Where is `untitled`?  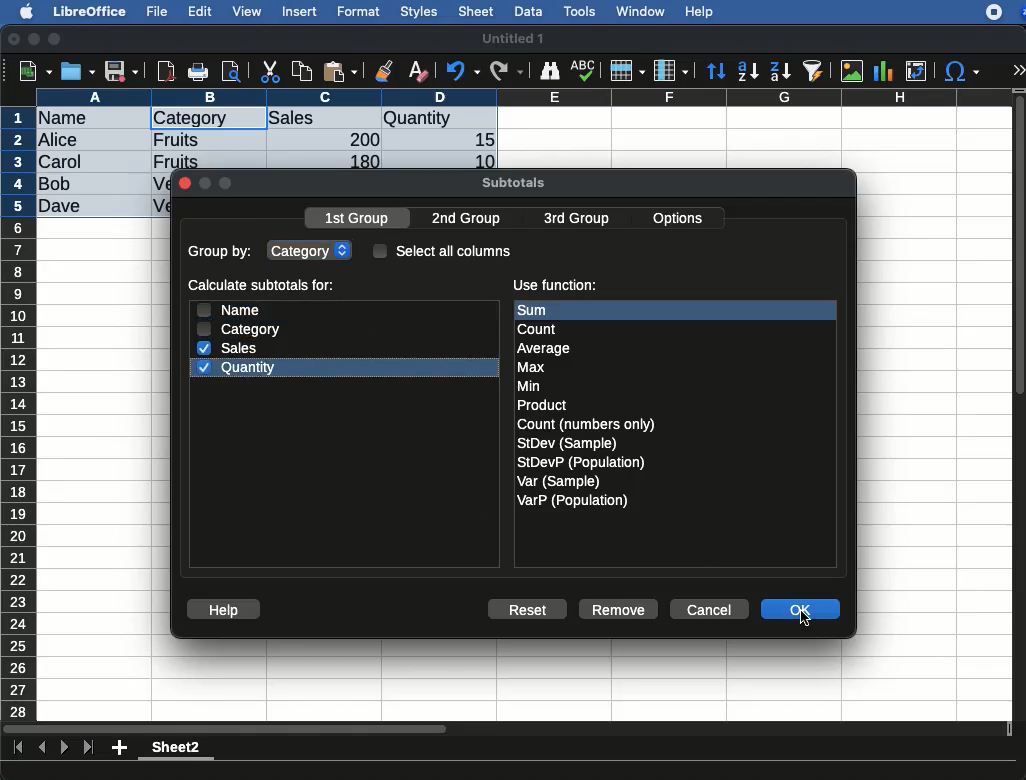
untitled is located at coordinates (512, 39).